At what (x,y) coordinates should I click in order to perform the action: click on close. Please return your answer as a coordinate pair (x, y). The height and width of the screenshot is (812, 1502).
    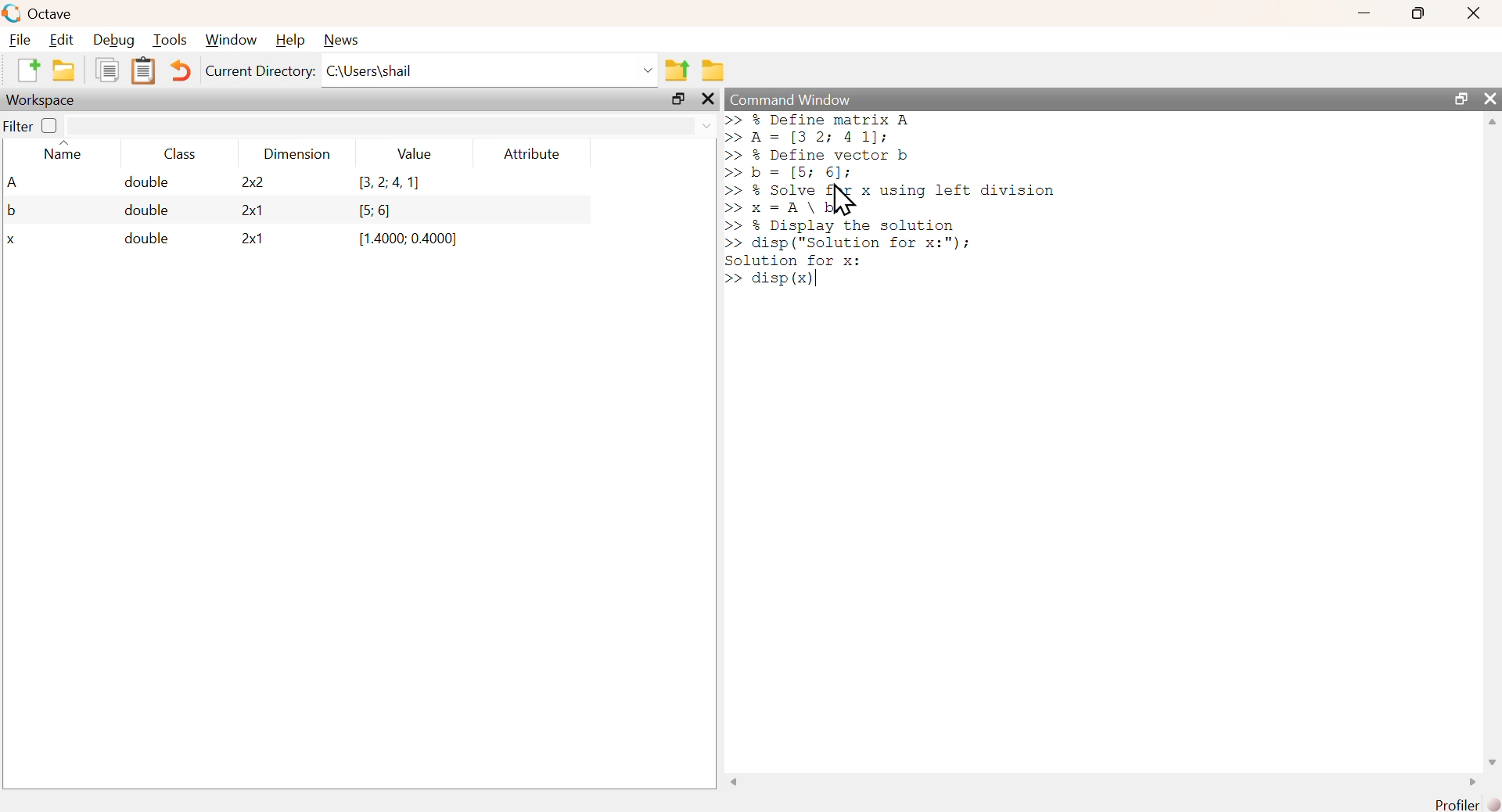
    Looking at the image, I should click on (706, 100).